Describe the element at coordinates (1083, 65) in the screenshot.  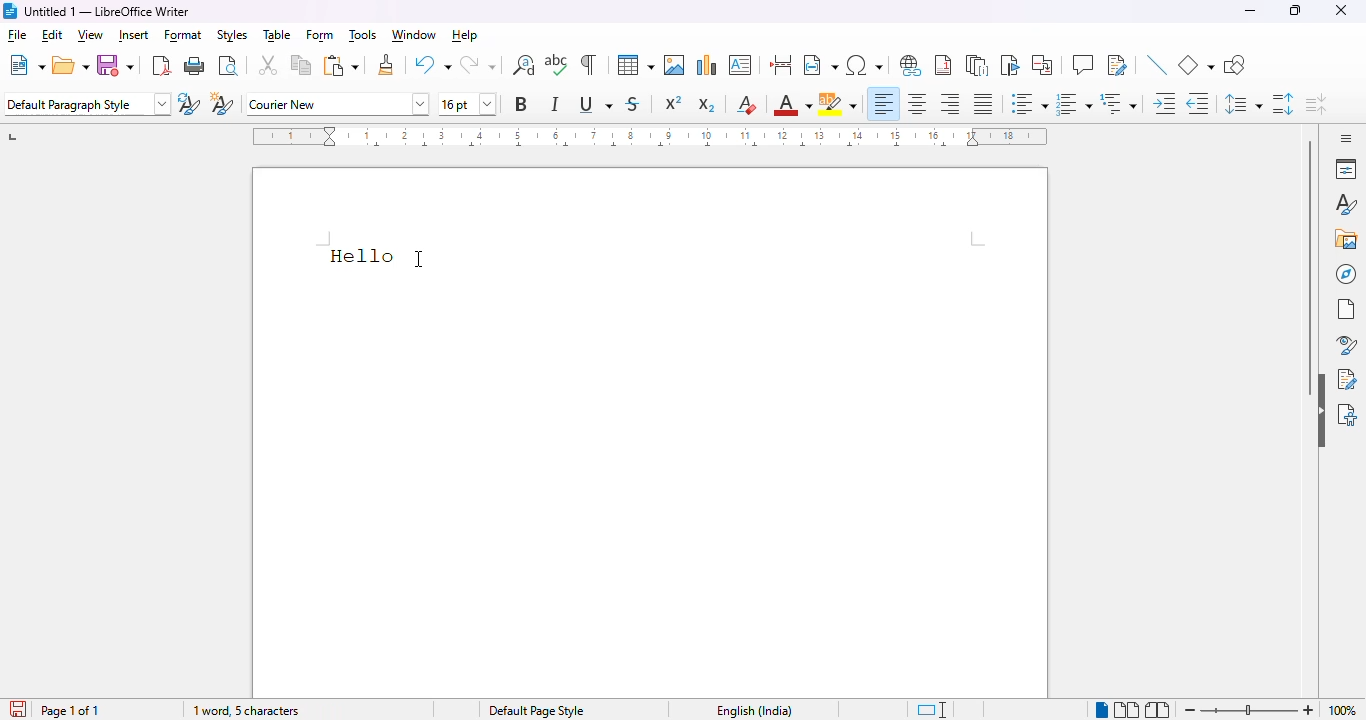
I see `insert comment` at that location.